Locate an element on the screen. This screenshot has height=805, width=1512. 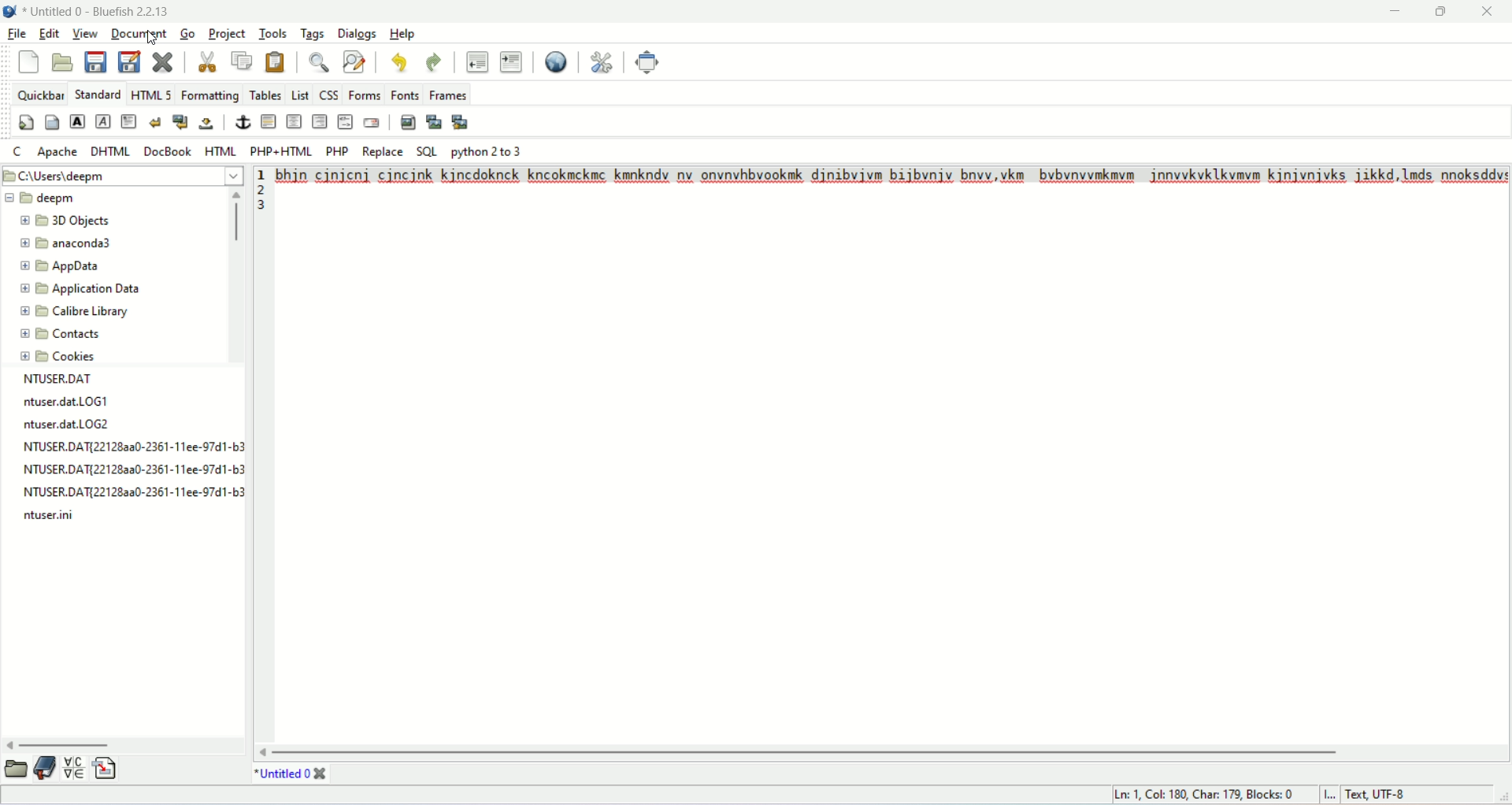
show find bar is located at coordinates (320, 63).